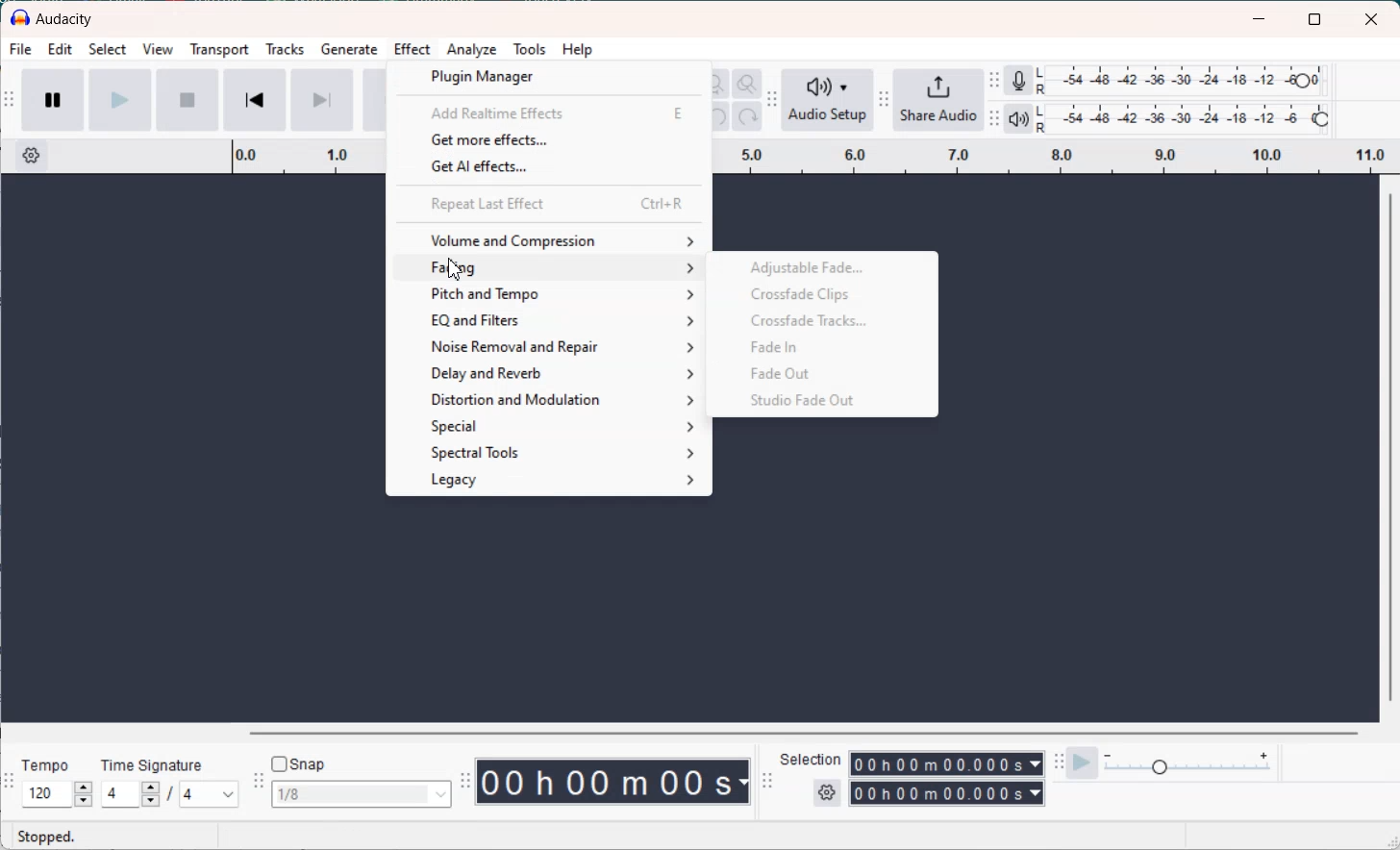  What do you see at coordinates (60, 51) in the screenshot?
I see `Edit` at bounding box center [60, 51].